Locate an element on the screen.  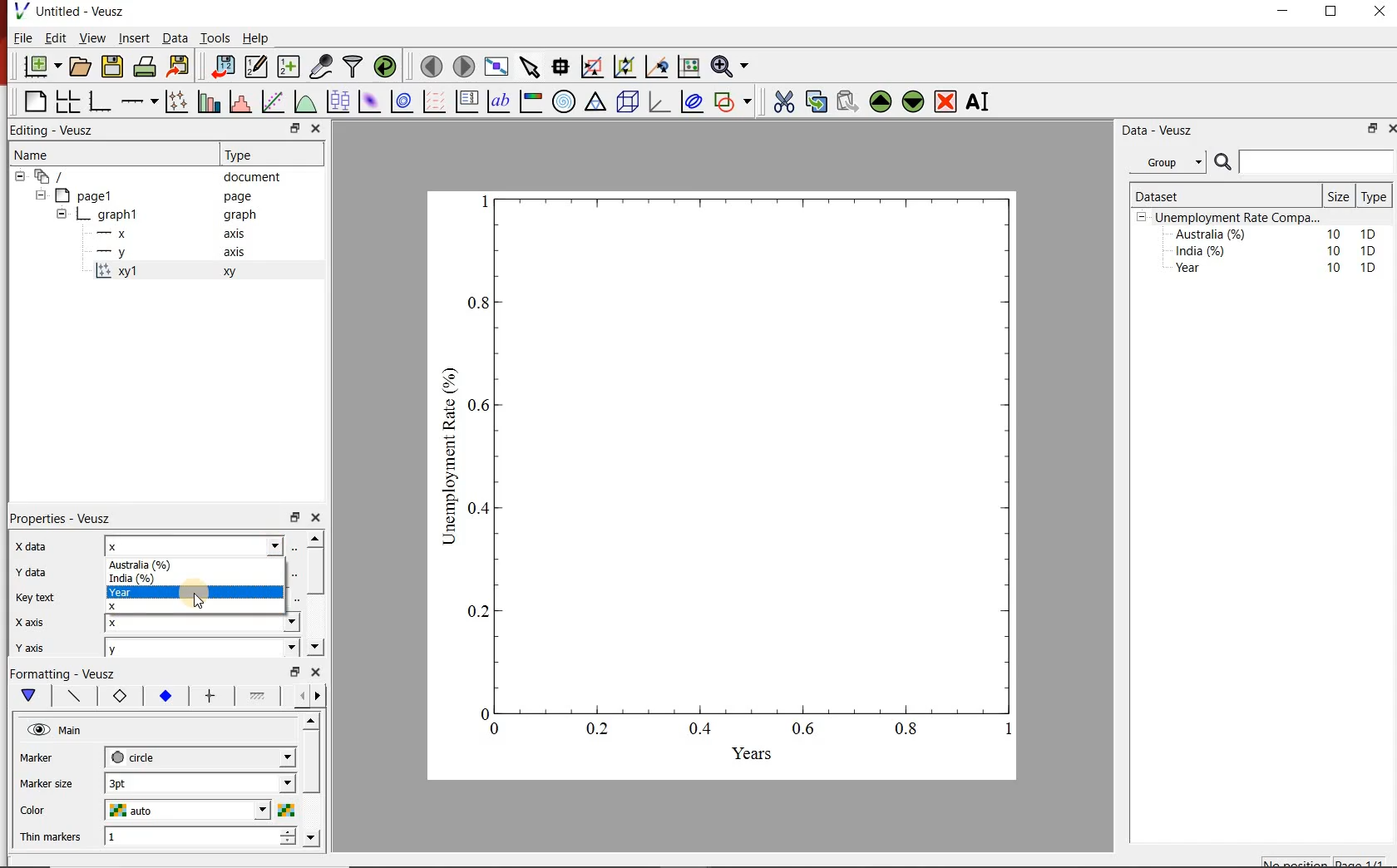
cut the widgets is located at coordinates (784, 101).